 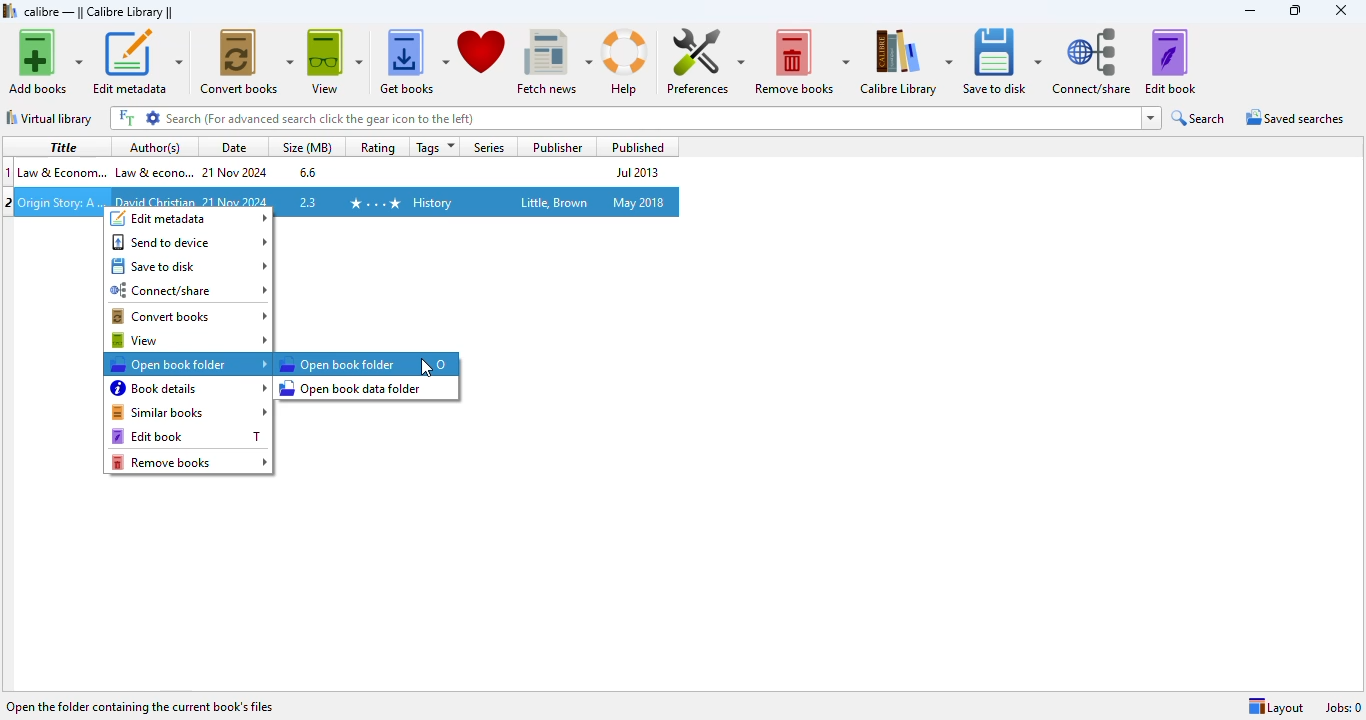 What do you see at coordinates (432, 147) in the screenshot?
I see `tags` at bounding box center [432, 147].